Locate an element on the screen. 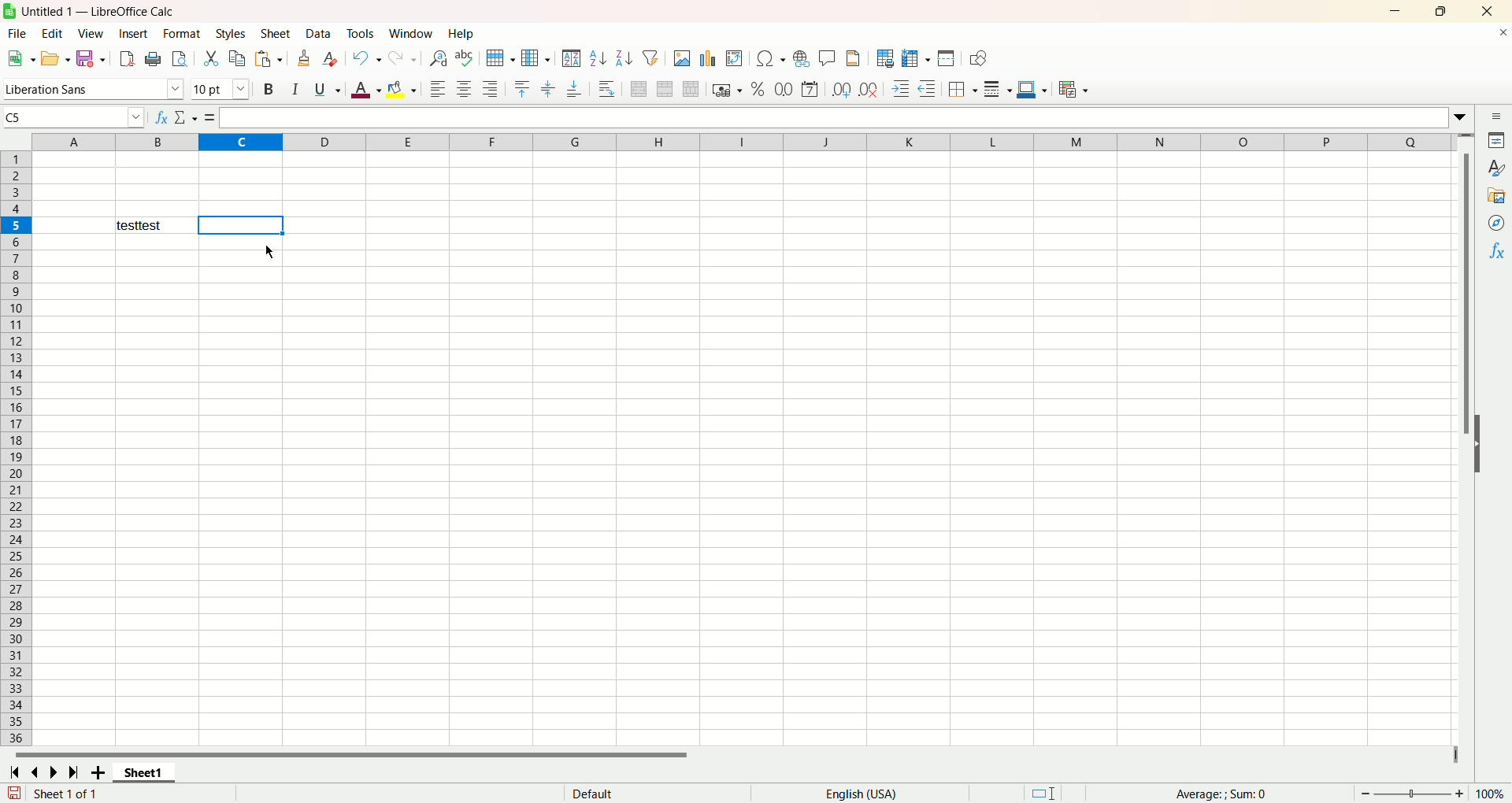  maximize is located at coordinates (1439, 13).